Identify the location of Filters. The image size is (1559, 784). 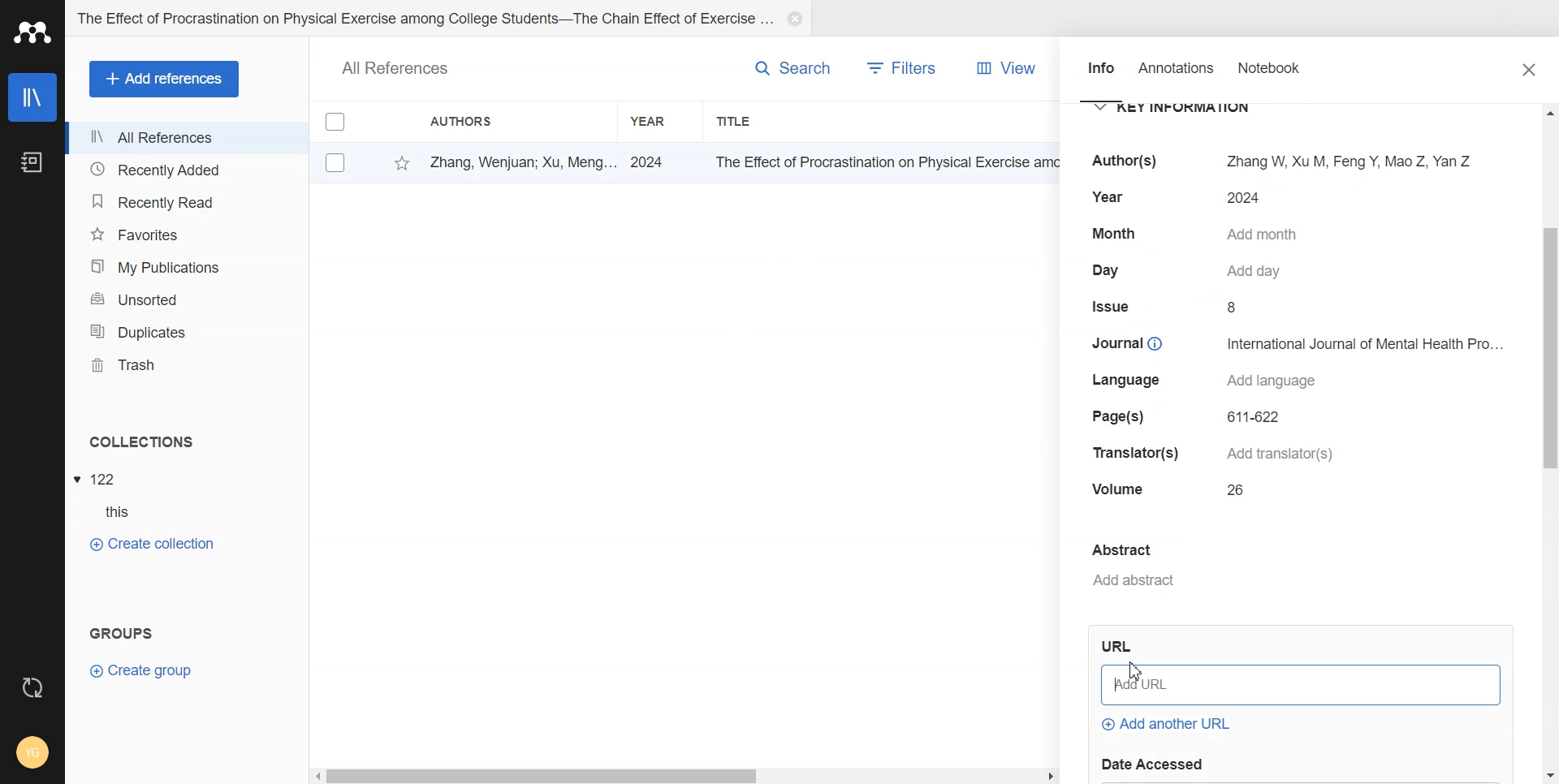
(906, 67).